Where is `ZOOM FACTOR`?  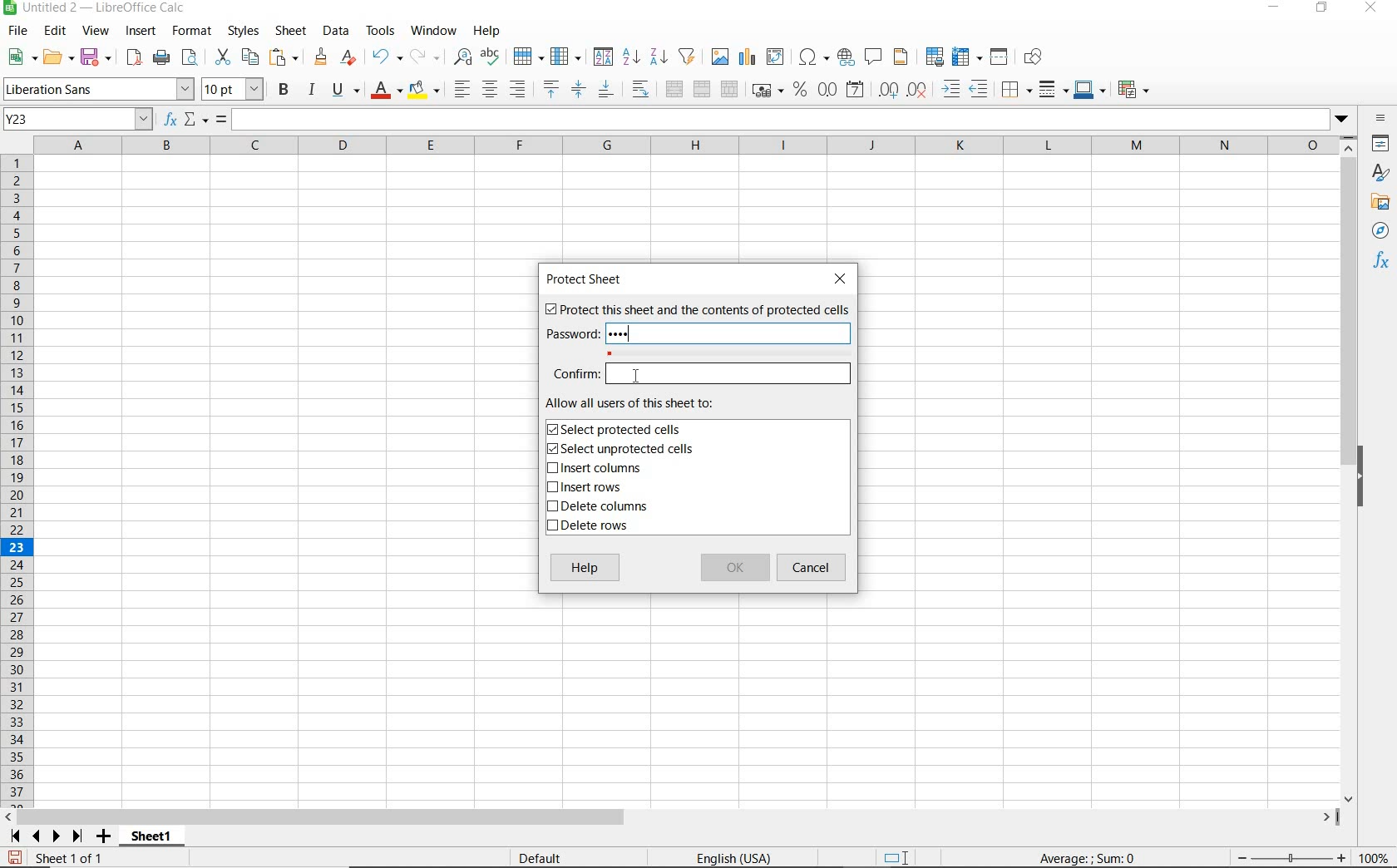 ZOOM FACTOR is located at coordinates (1375, 859).